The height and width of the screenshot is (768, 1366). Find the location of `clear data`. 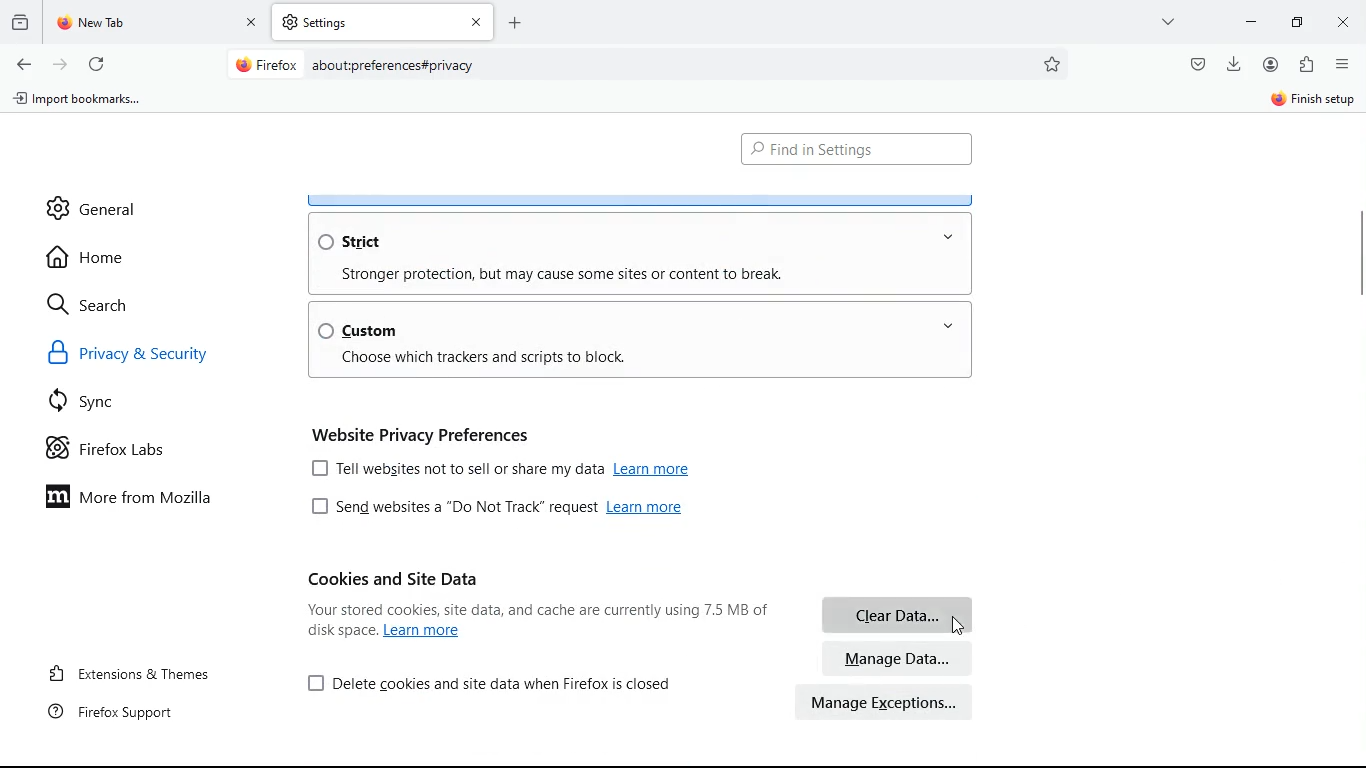

clear data is located at coordinates (896, 614).